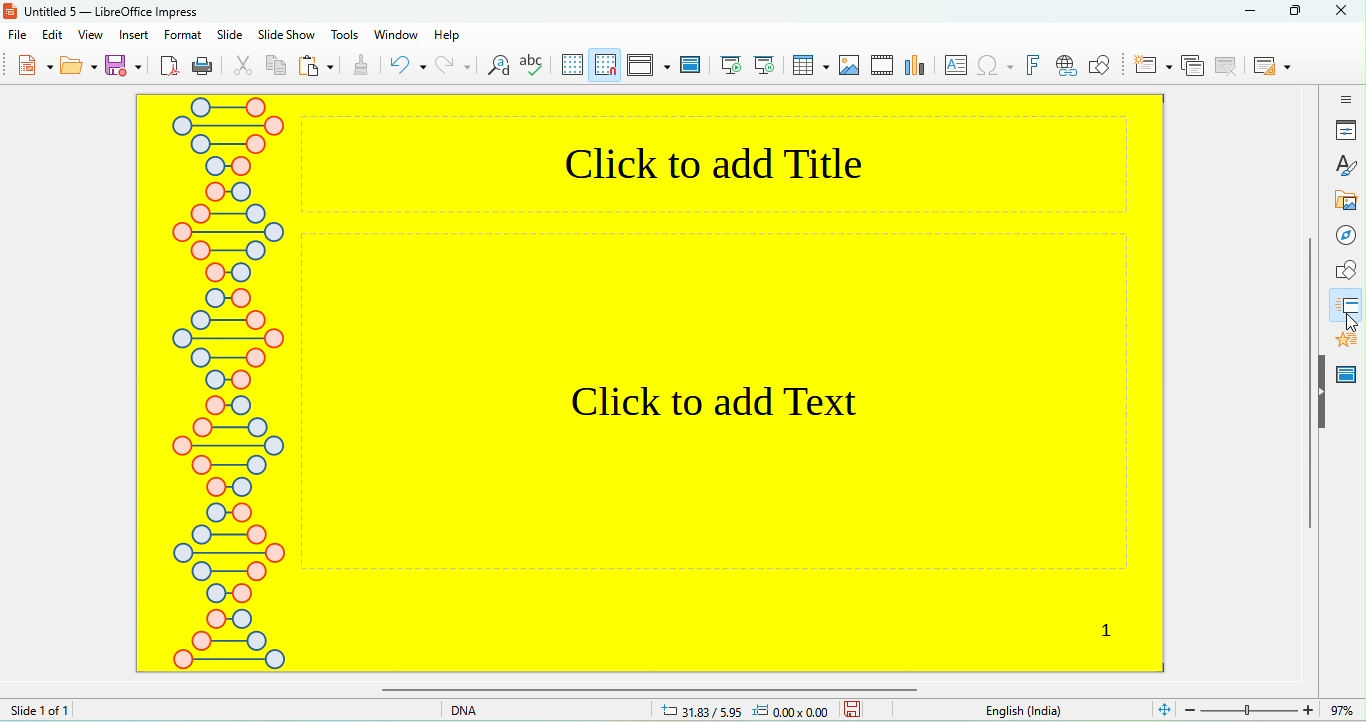 The image size is (1366, 722). What do you see at coordinates (496, 70) in the screenshot?
I see `find and replace` at bounding box center [496, 70].